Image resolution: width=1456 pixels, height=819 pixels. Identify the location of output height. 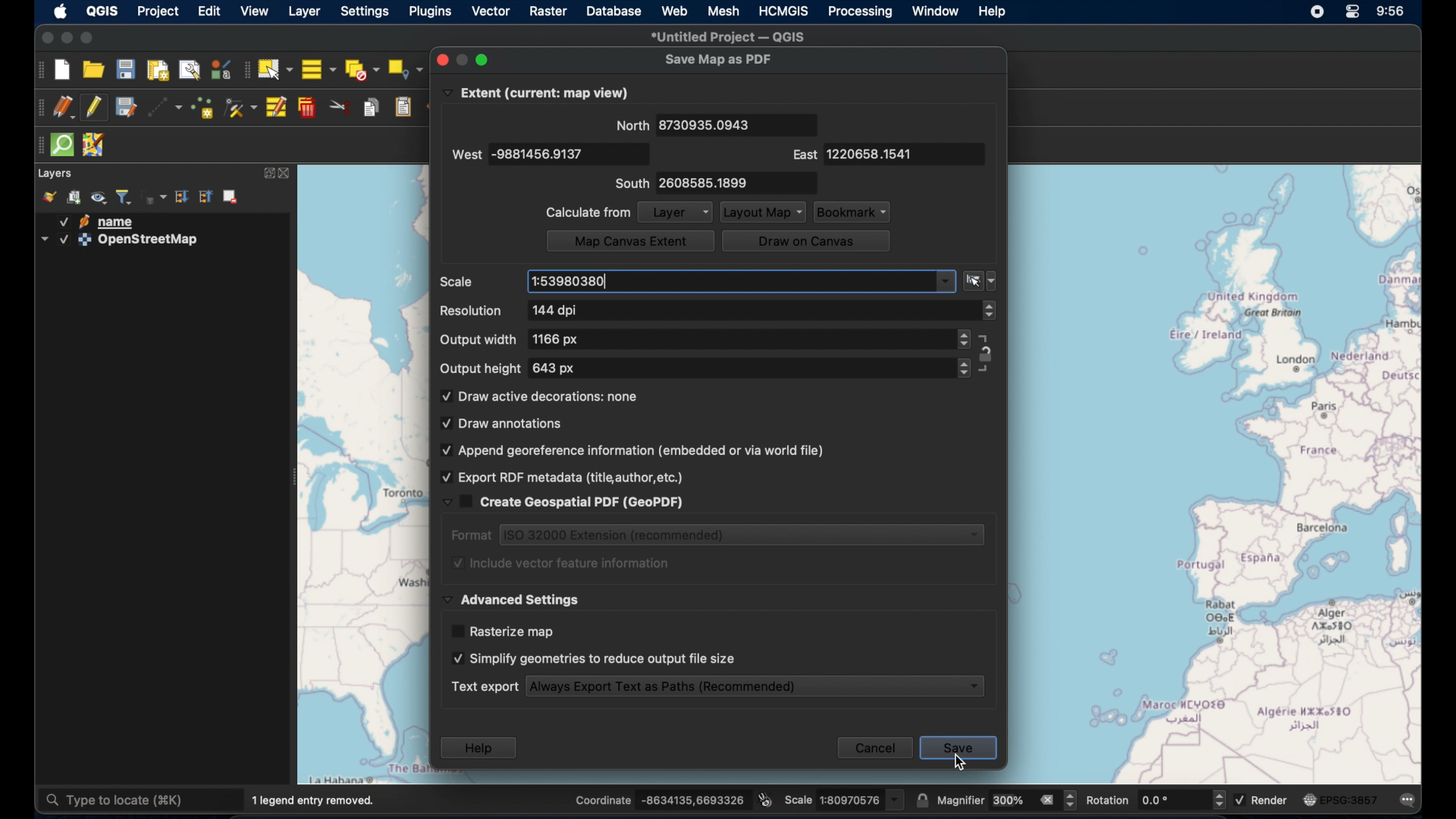
(479, 369).